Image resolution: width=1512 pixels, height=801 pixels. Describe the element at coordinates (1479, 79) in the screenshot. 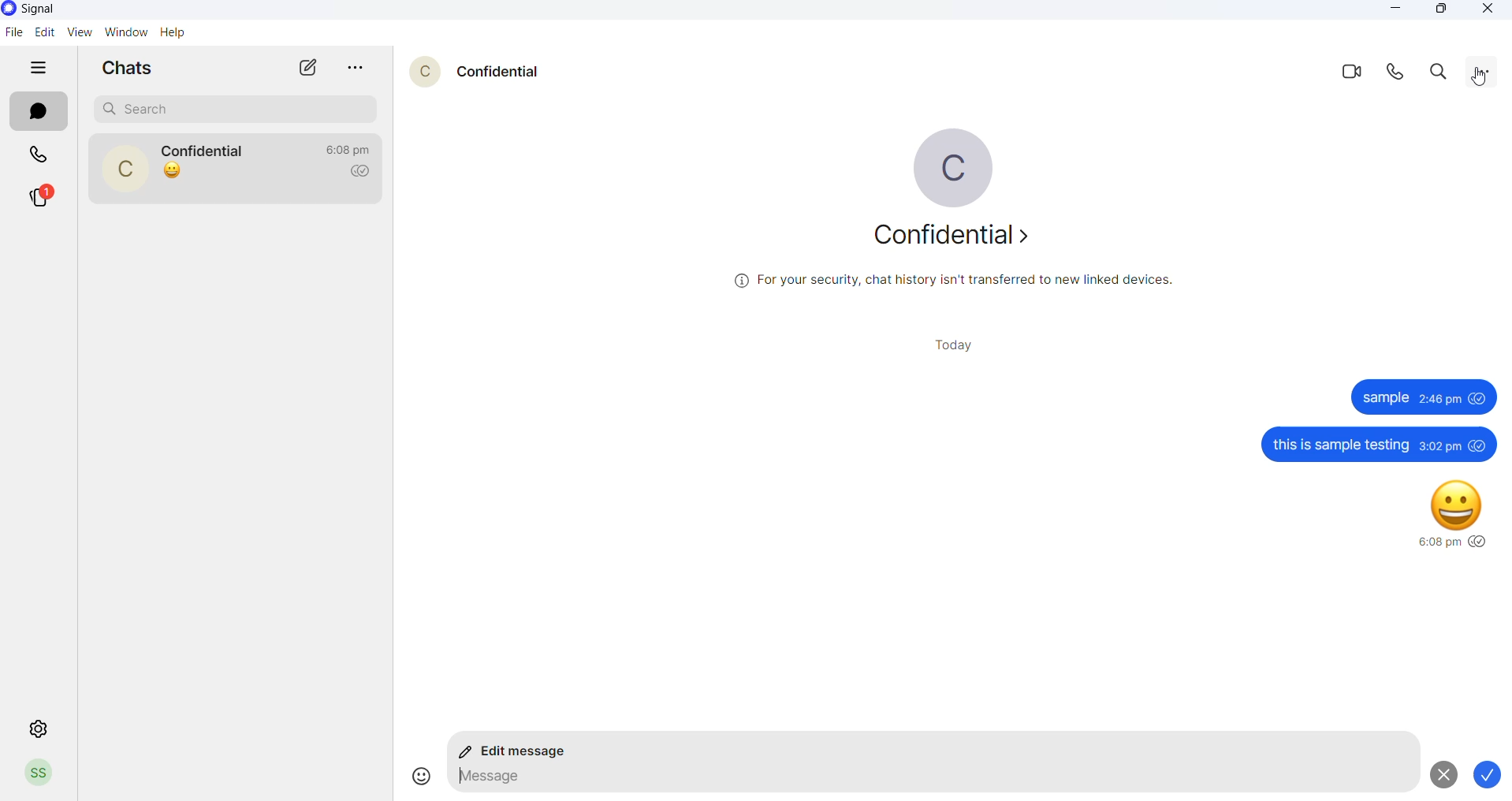

I see `cursor` at that location.